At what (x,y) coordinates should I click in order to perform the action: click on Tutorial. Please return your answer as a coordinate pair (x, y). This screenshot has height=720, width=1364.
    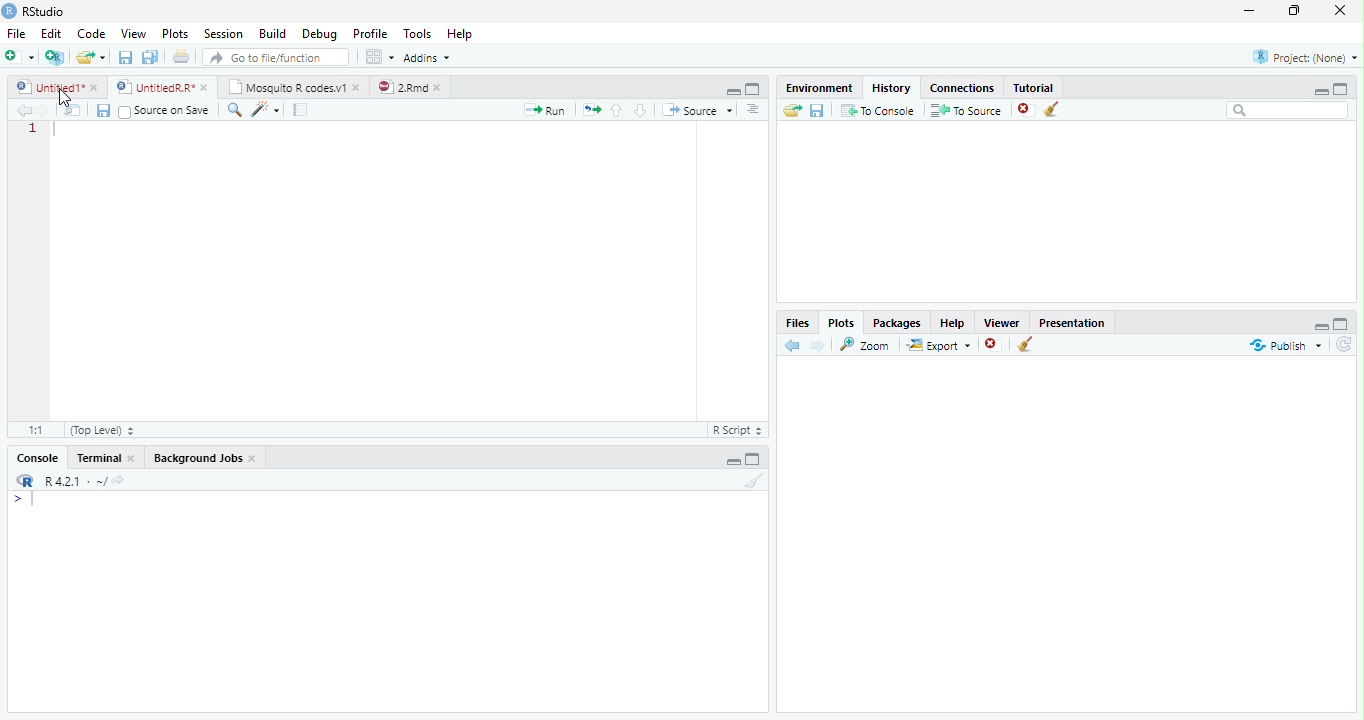
    Looking at the image, I should click on (1030, 85).